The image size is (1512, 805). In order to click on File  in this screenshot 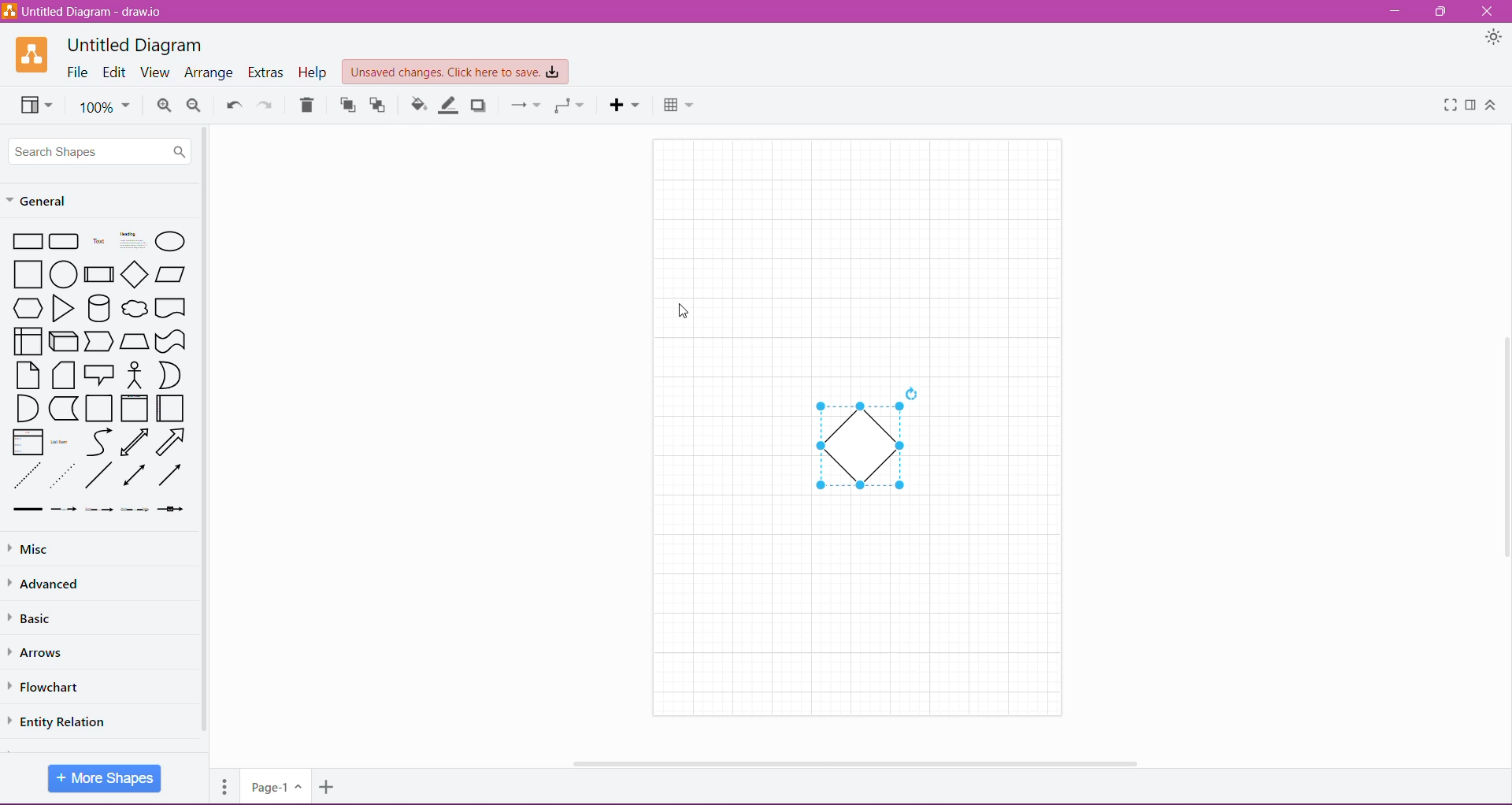, I will do `click(77, 72)`.